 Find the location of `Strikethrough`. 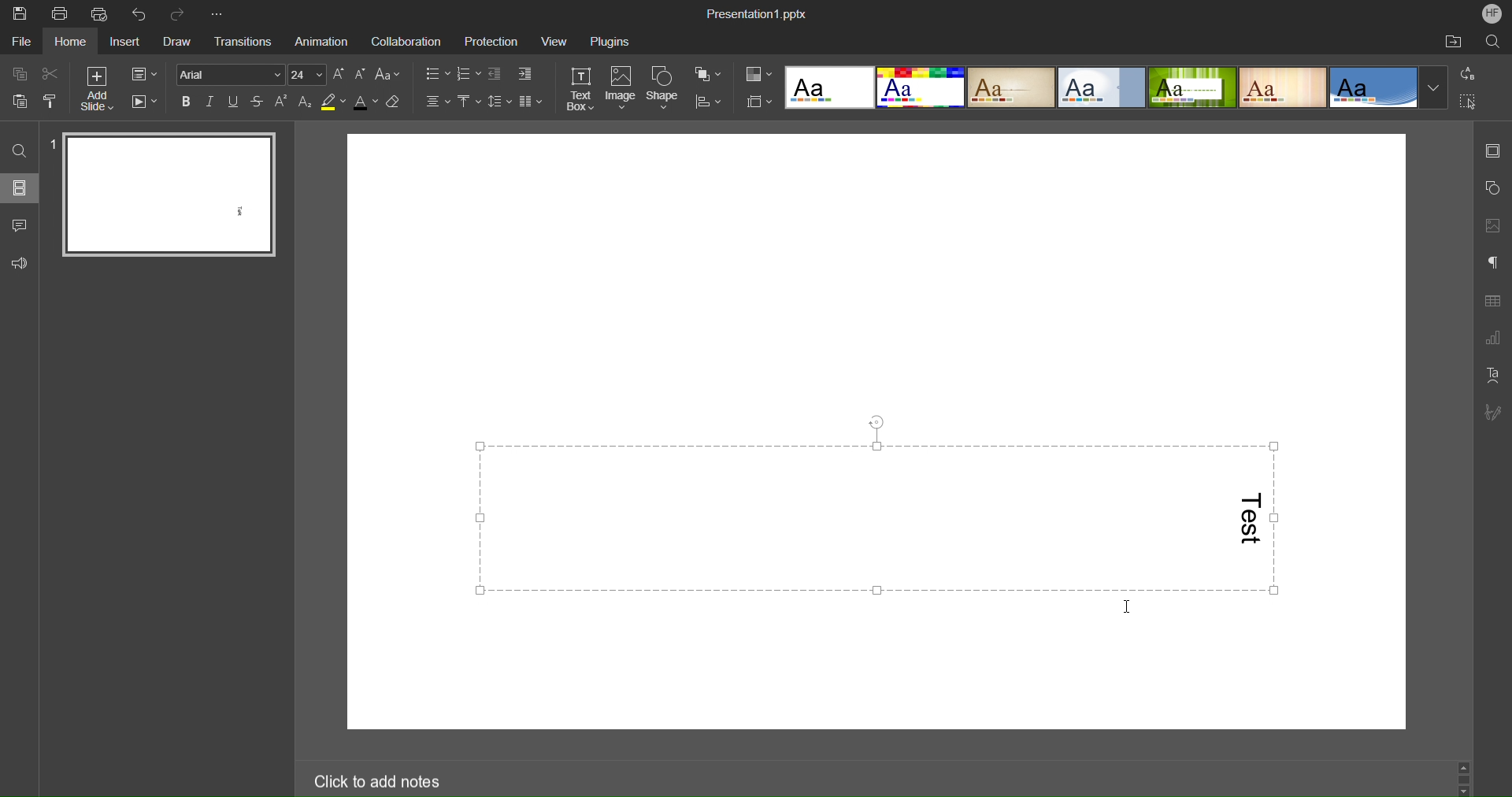

Strikethrough is located at coordinates (258, 102).